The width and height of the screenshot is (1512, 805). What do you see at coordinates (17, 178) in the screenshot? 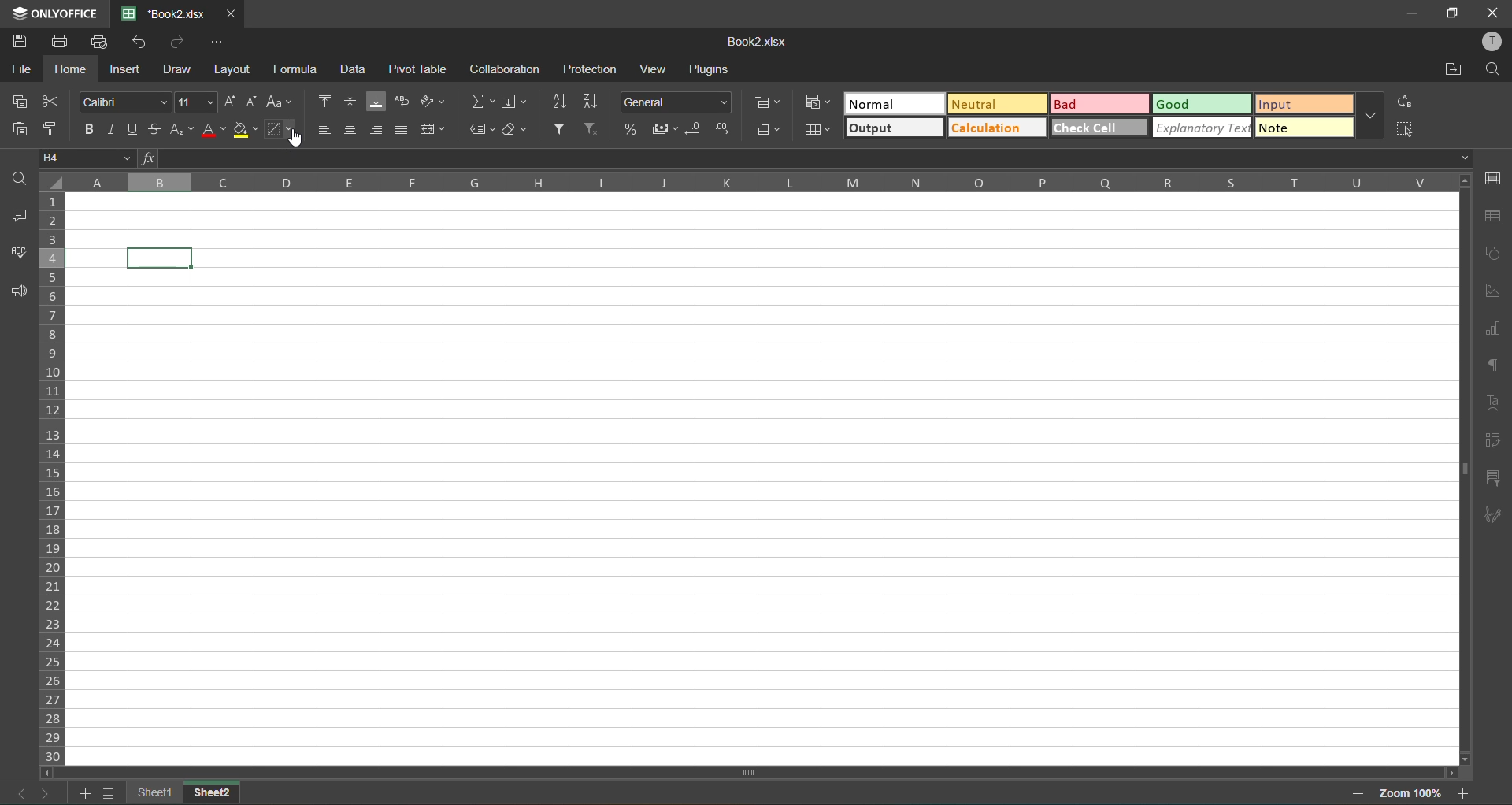
I see `find` at bounding box center [17, 178].